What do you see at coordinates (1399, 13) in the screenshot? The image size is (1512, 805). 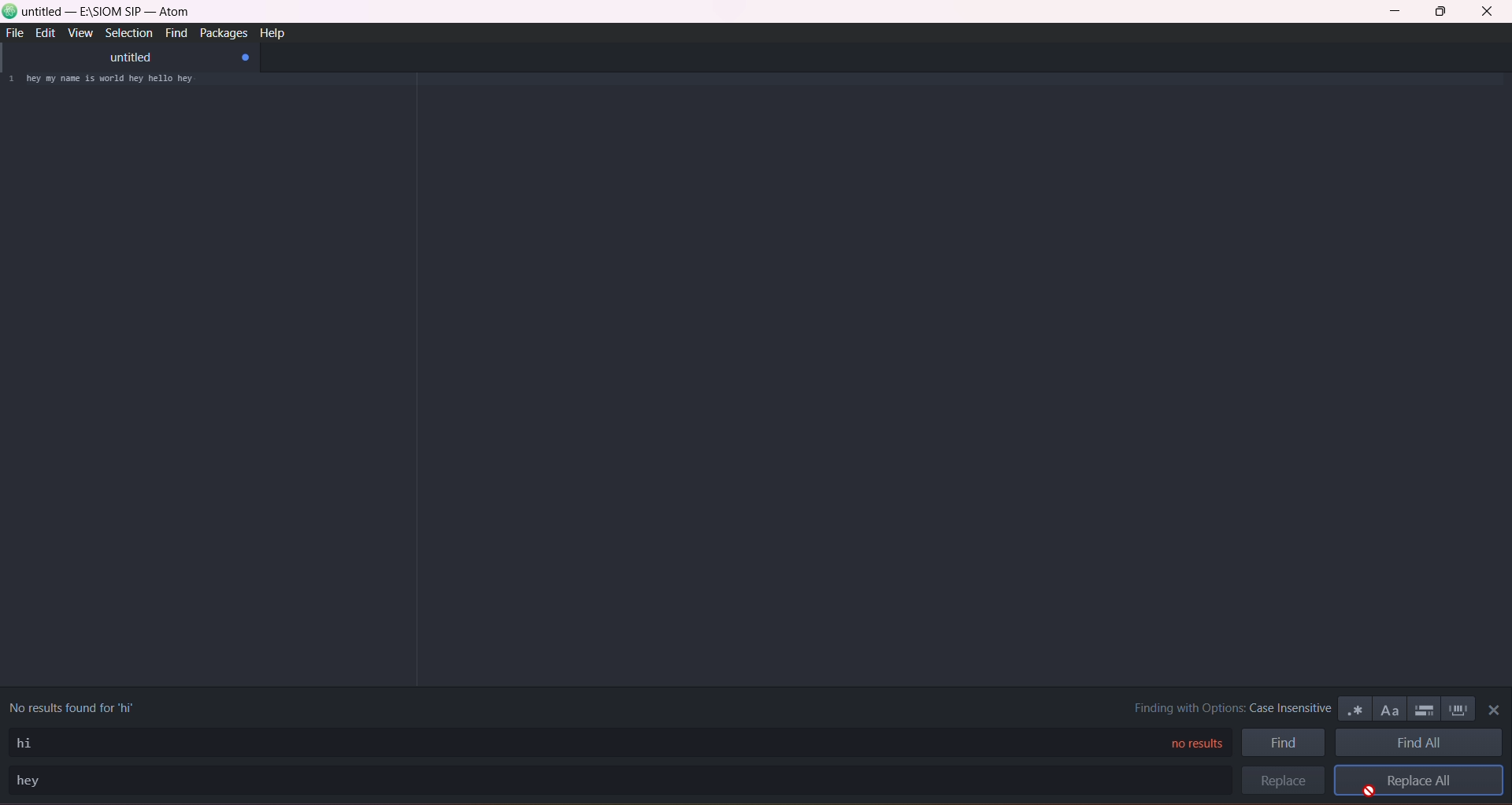 I see `minimize` at bounding box center [1399, 13].